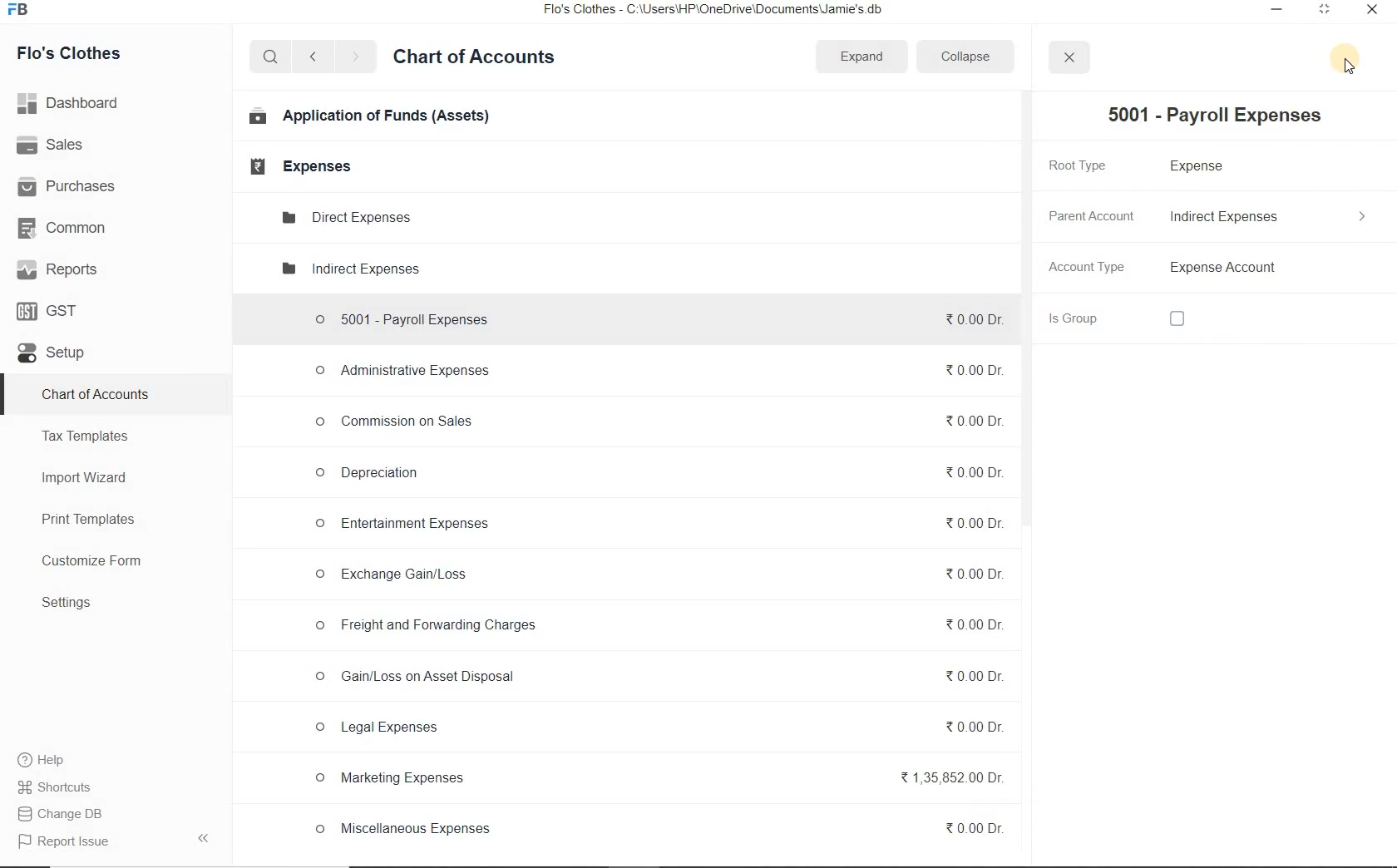 The image size is (1397, 868). I want to click on  Change DB, so click(70, 813).